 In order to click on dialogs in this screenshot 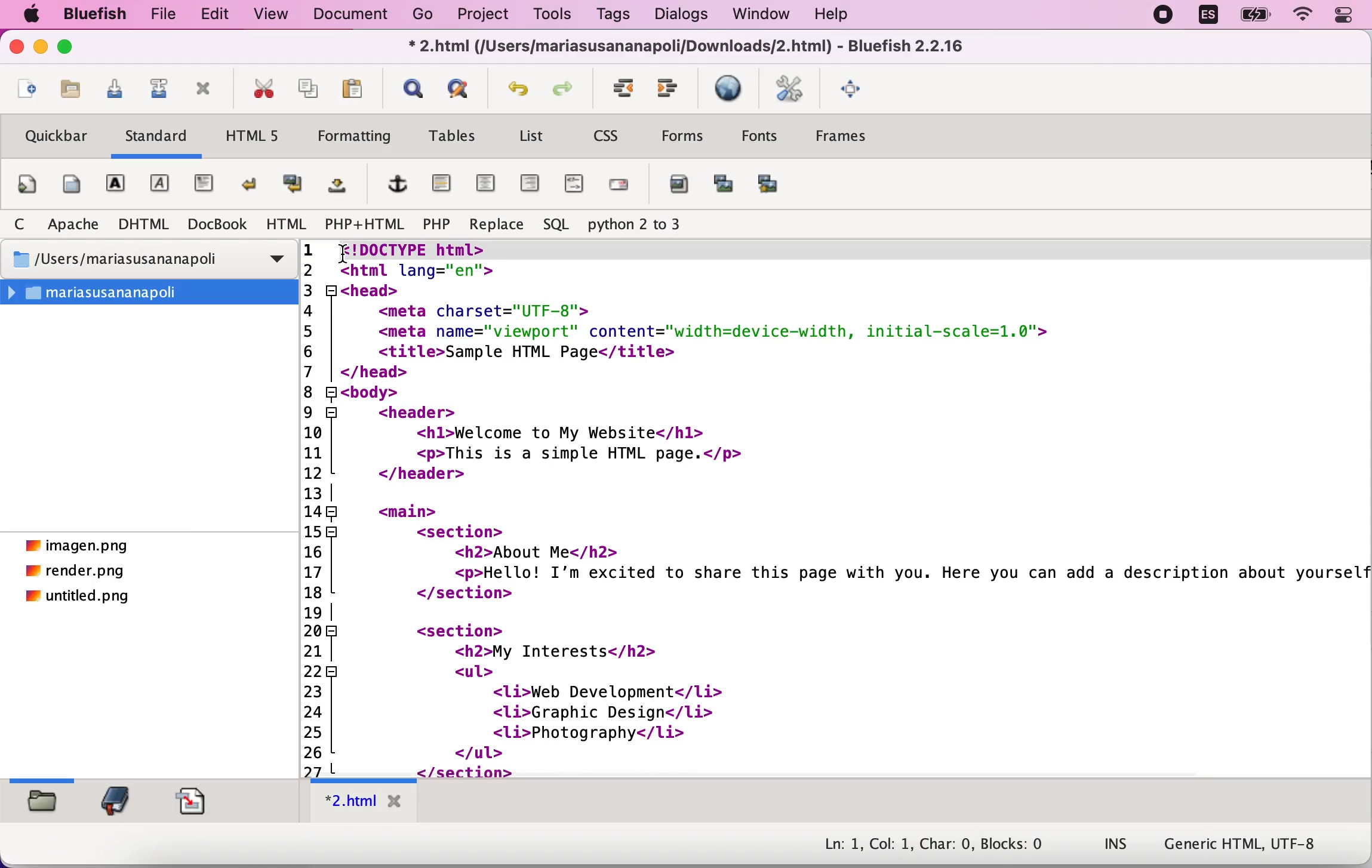, I will do `click(682, 14)`.